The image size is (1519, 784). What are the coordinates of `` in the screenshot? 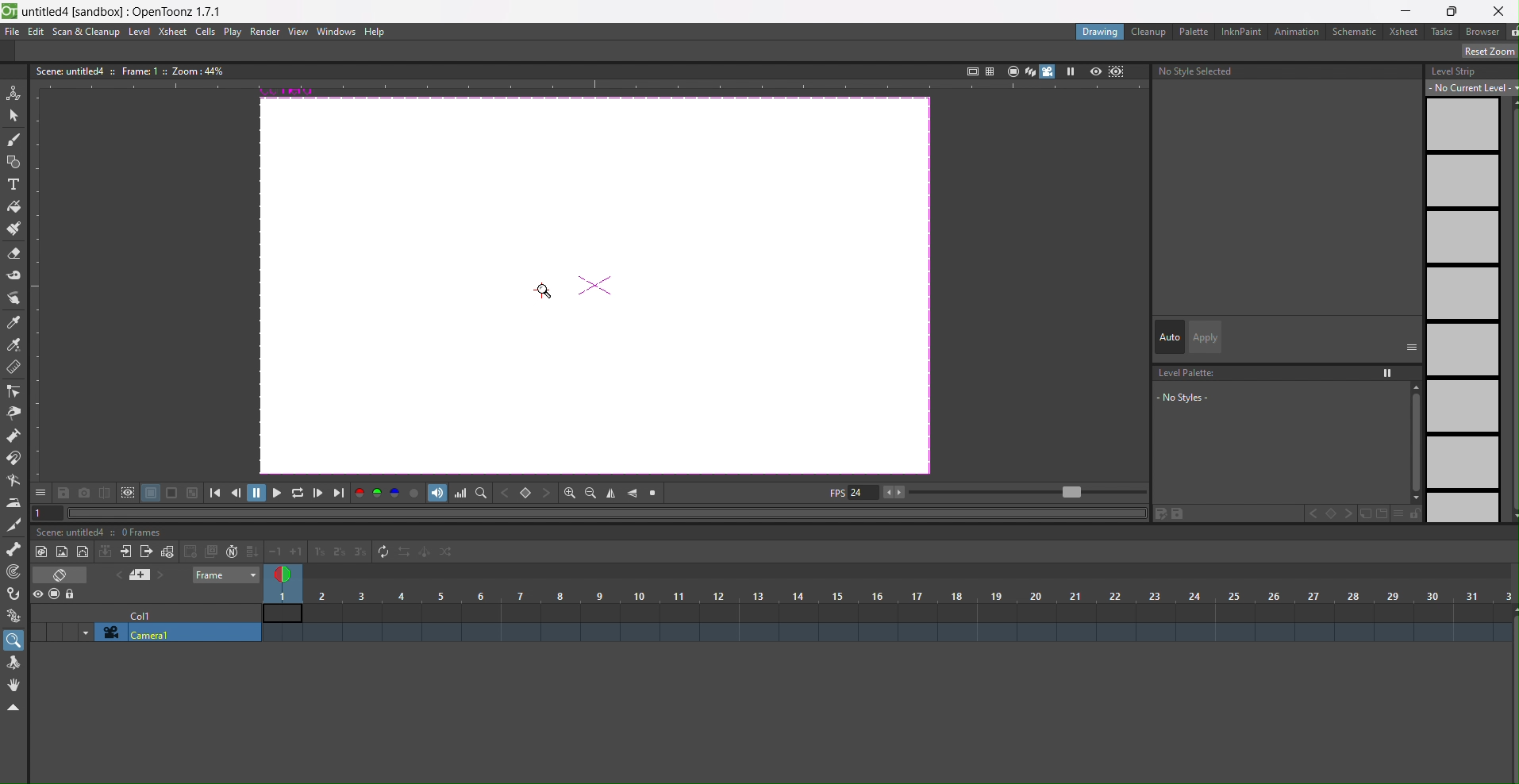 It's located at (46, 594).